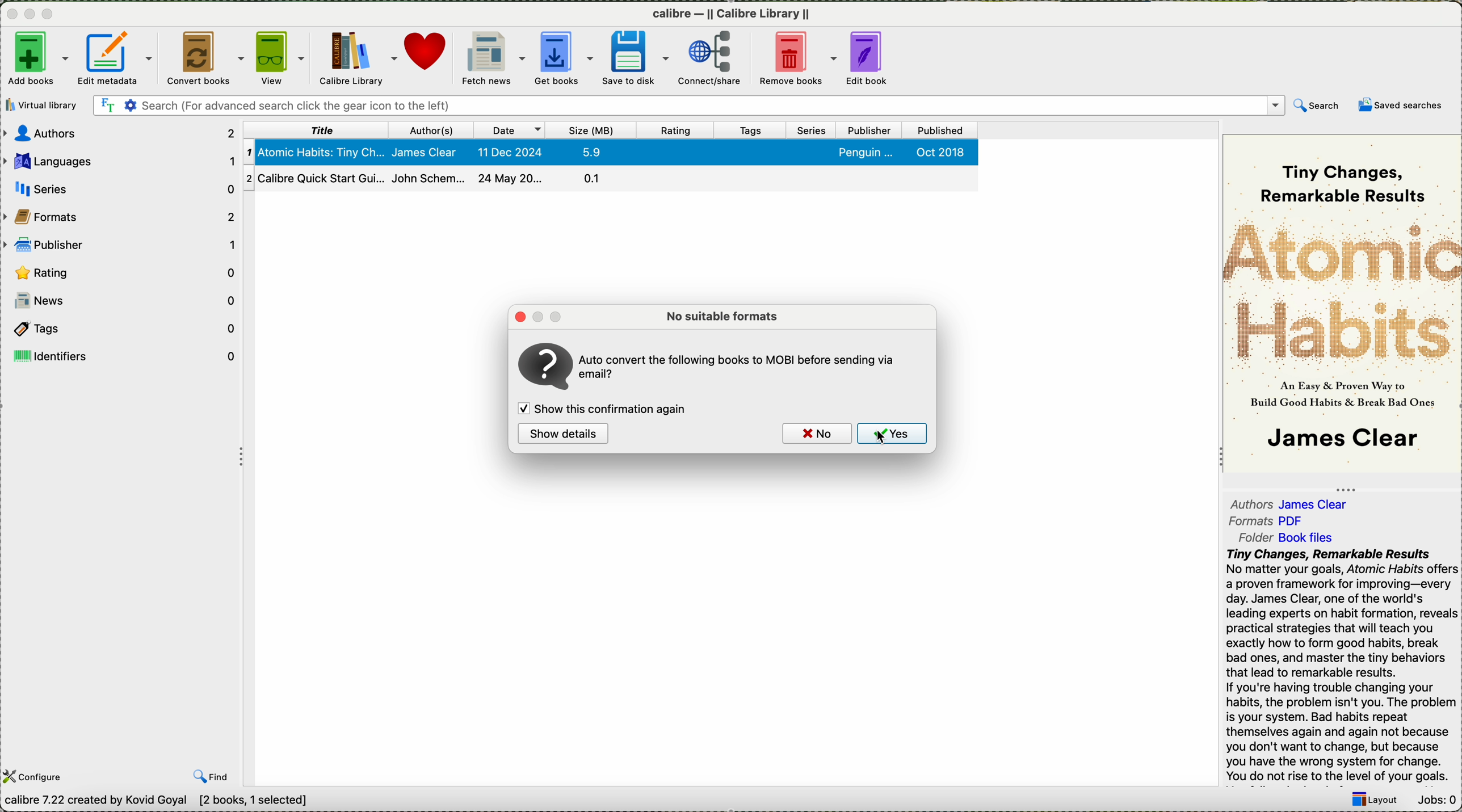 The width and height of the screenshot is (1462, 812). What do you see at coordinates (50, 14) in the screenshot?
I see `maximize` at bounding box center [50, 14].